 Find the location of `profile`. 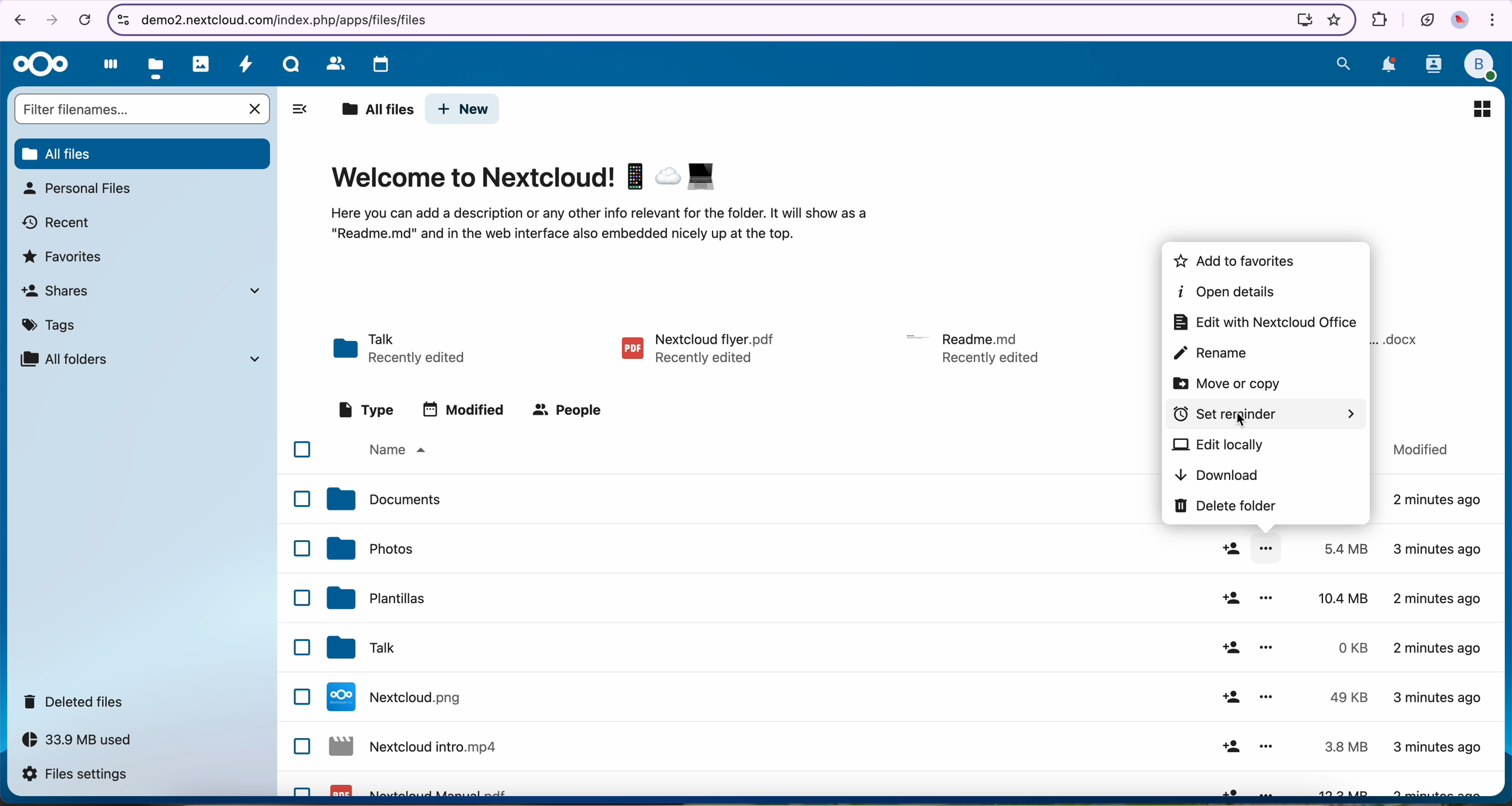

profile is located at coordinates (1483, 63).